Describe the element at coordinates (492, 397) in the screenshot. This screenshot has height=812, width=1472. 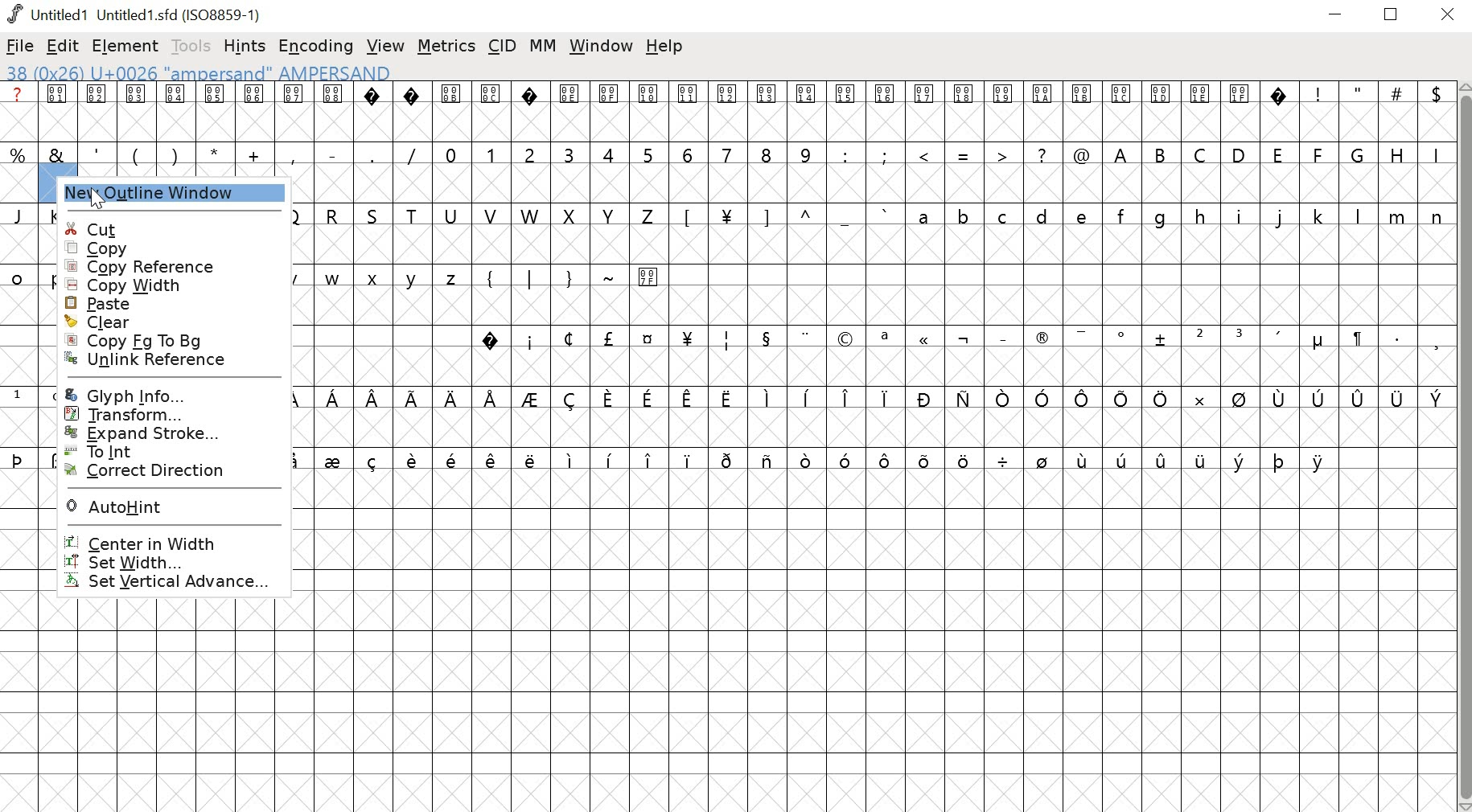
I see `symbol` at that location.